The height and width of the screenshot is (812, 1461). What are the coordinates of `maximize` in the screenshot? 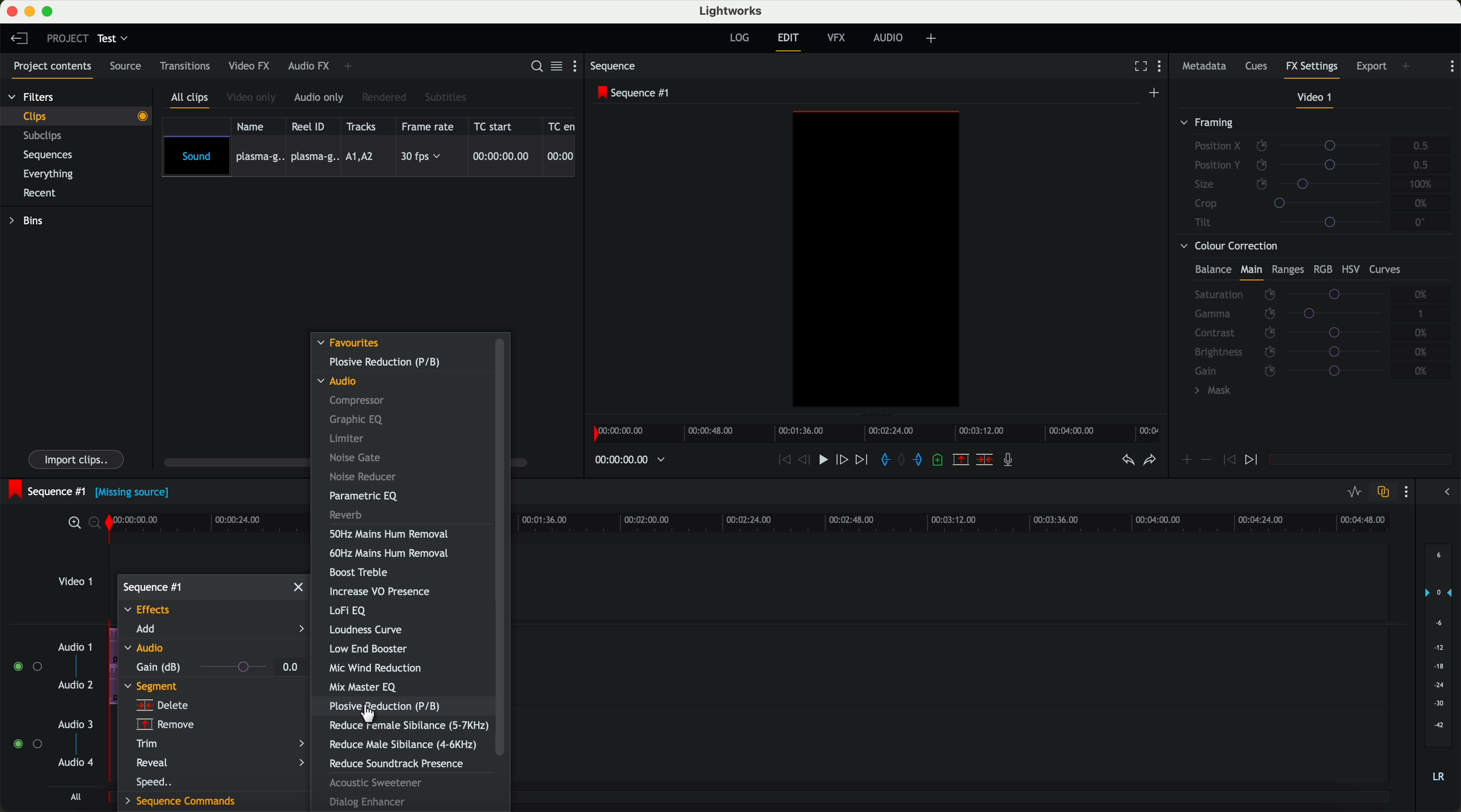 It's located at (50, 11).